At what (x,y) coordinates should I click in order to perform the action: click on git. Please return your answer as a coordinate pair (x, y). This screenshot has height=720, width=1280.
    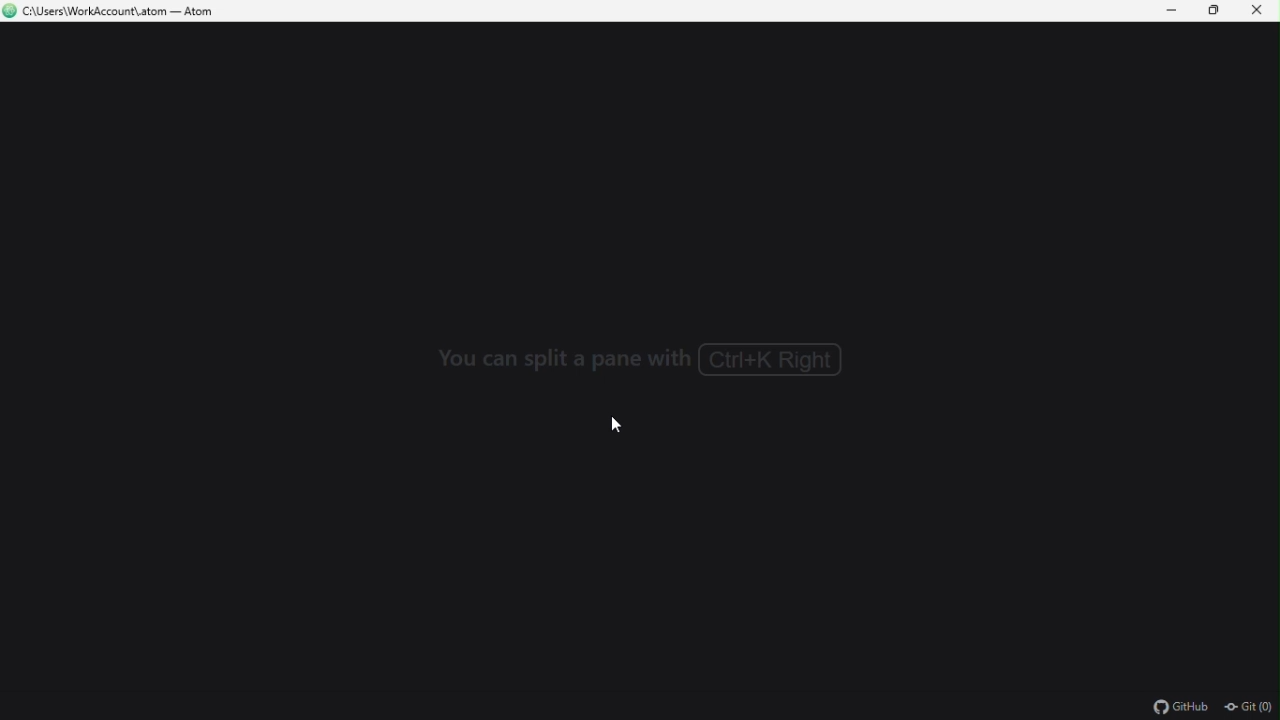
    Looking at the image, I should click on (1250, 706).